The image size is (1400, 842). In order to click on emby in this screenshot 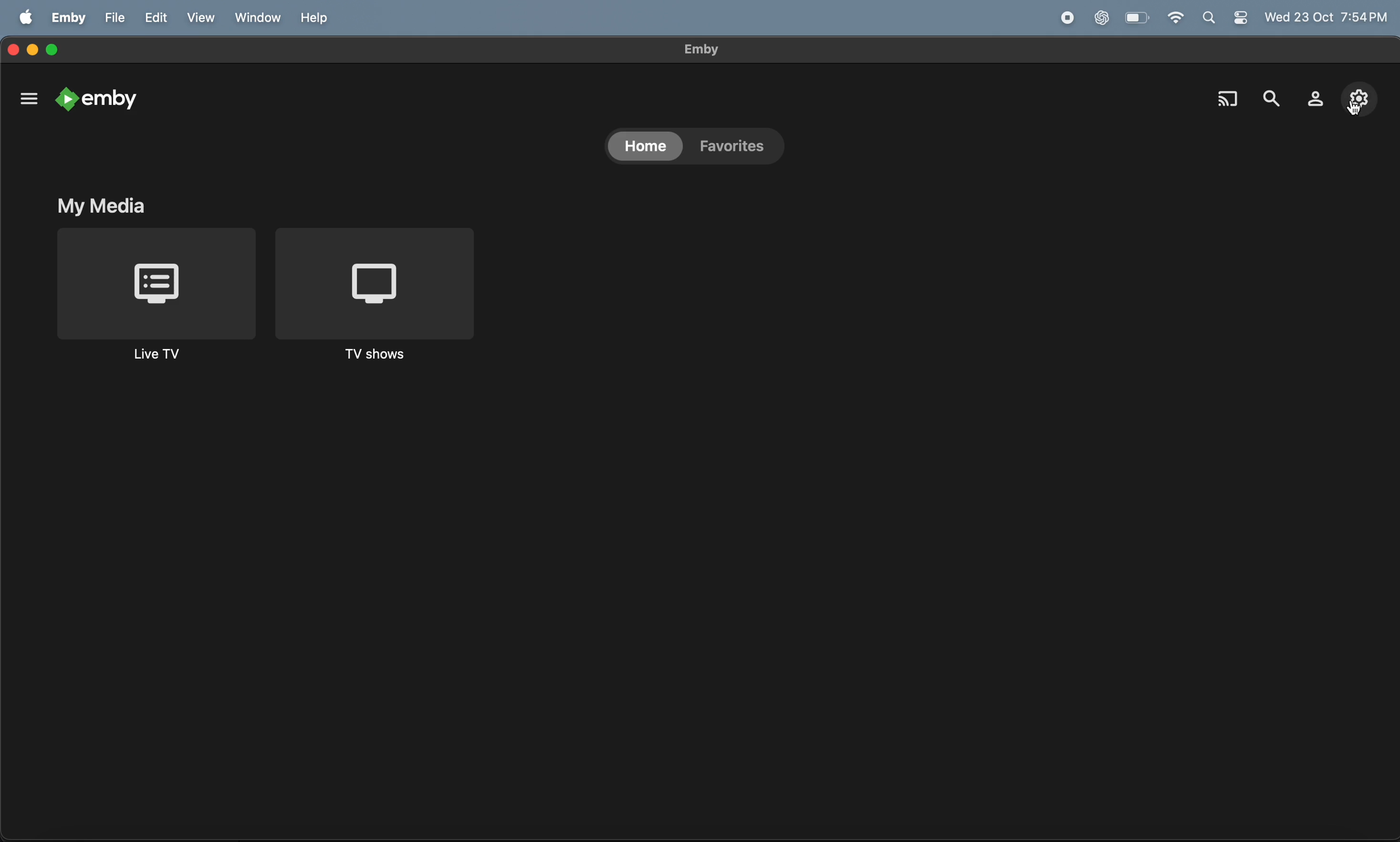, I will do `click(70, 17)`.